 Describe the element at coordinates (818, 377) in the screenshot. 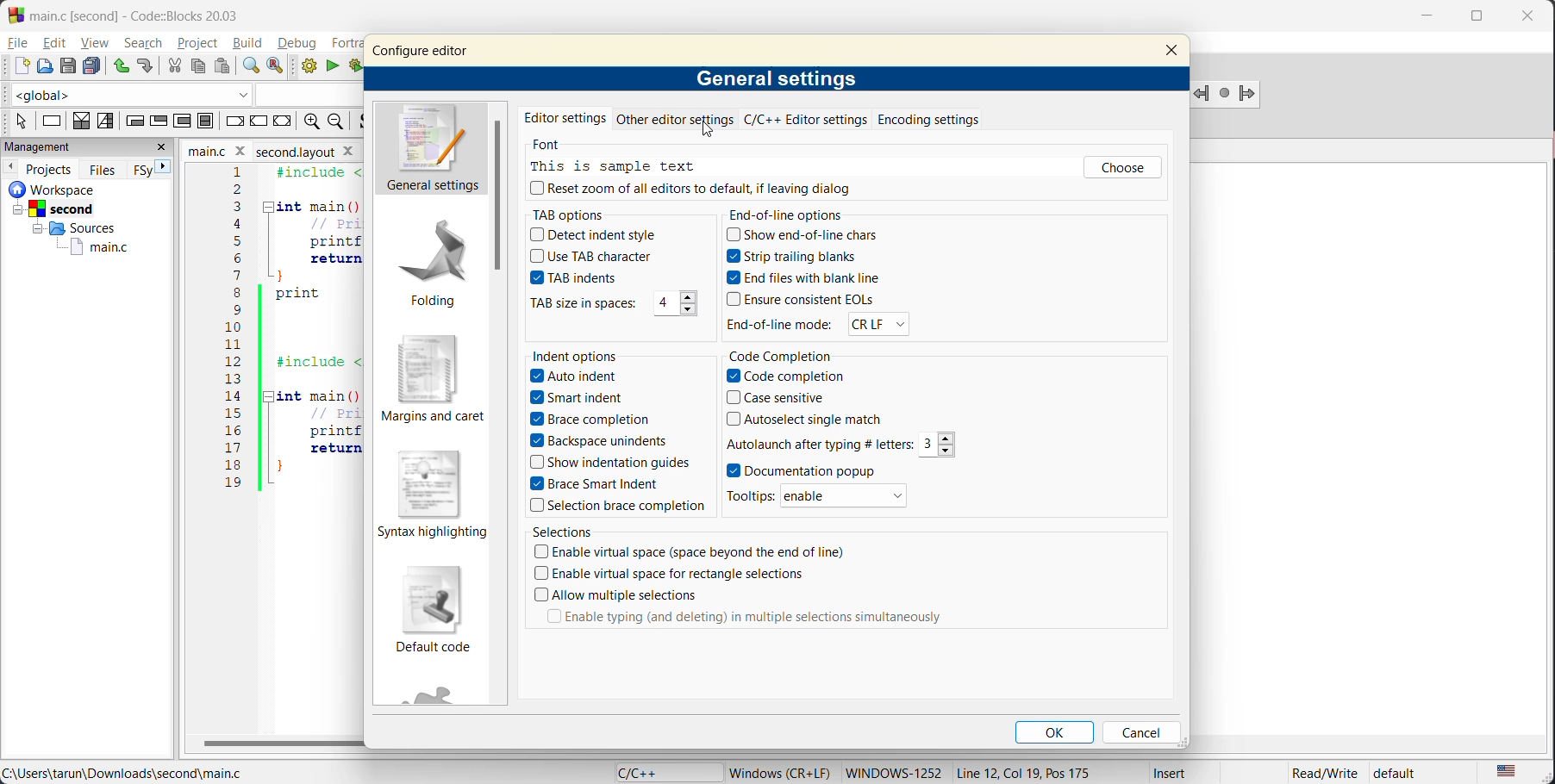

I see `Code completion` at that location.